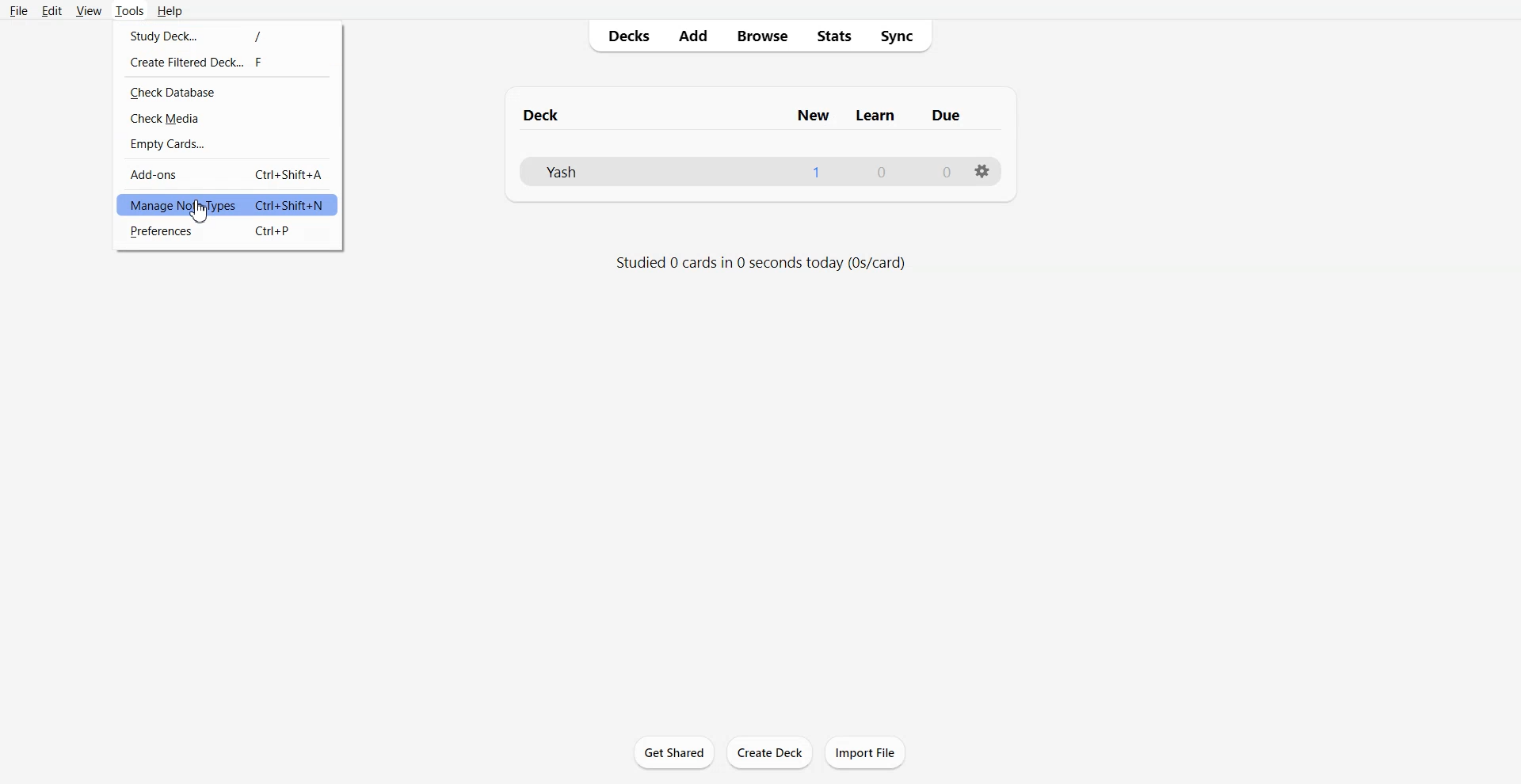  I want to click on Get Shared, so click(673, 751).